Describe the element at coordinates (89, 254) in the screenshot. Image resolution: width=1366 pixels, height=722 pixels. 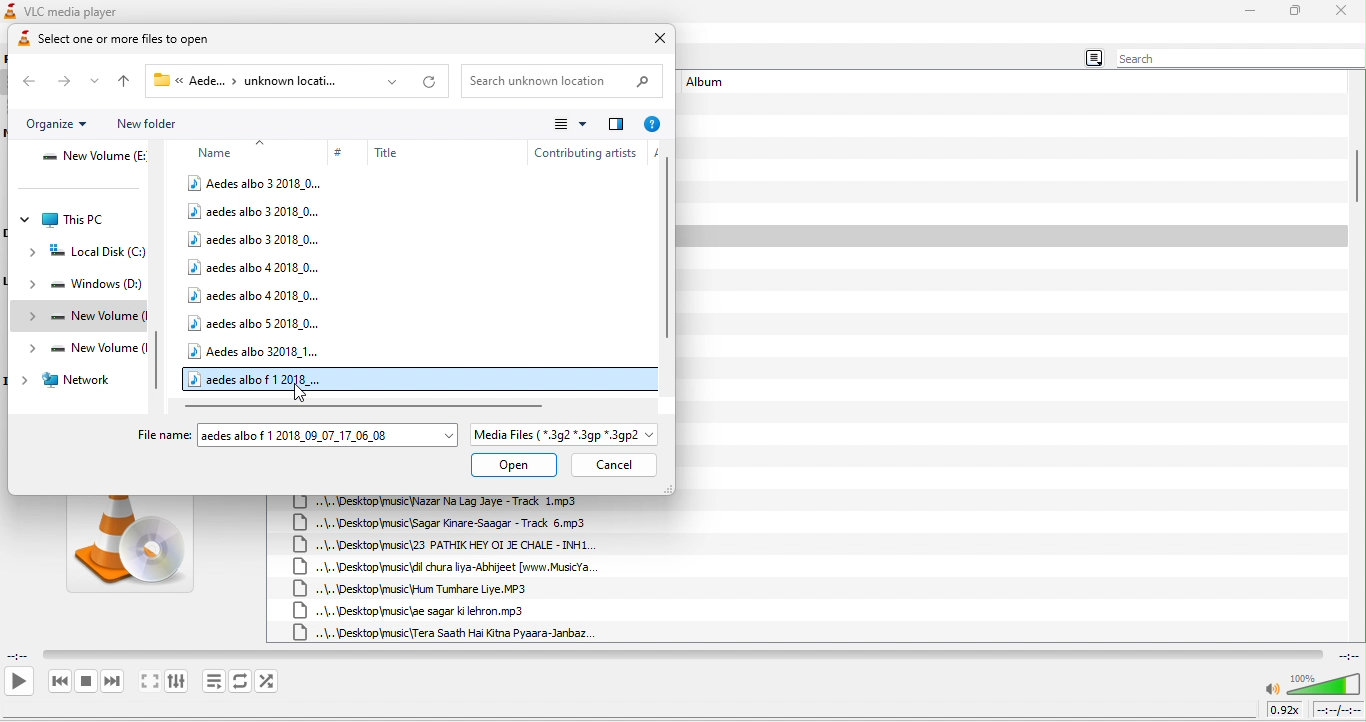
I see `local disk (C:)` at that location.